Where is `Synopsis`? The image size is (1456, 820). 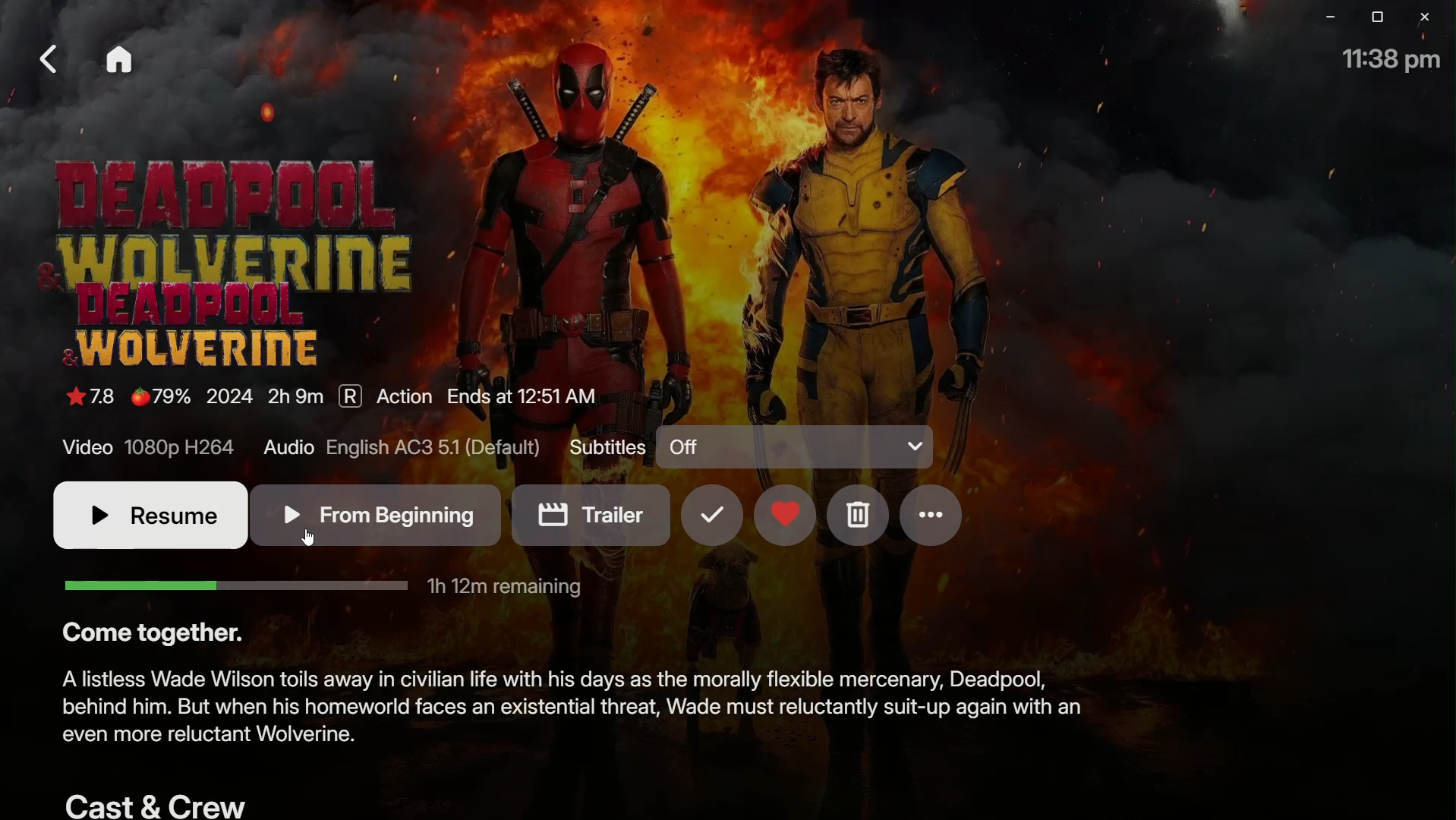
Synopsis is located at coordinates (568, 714).